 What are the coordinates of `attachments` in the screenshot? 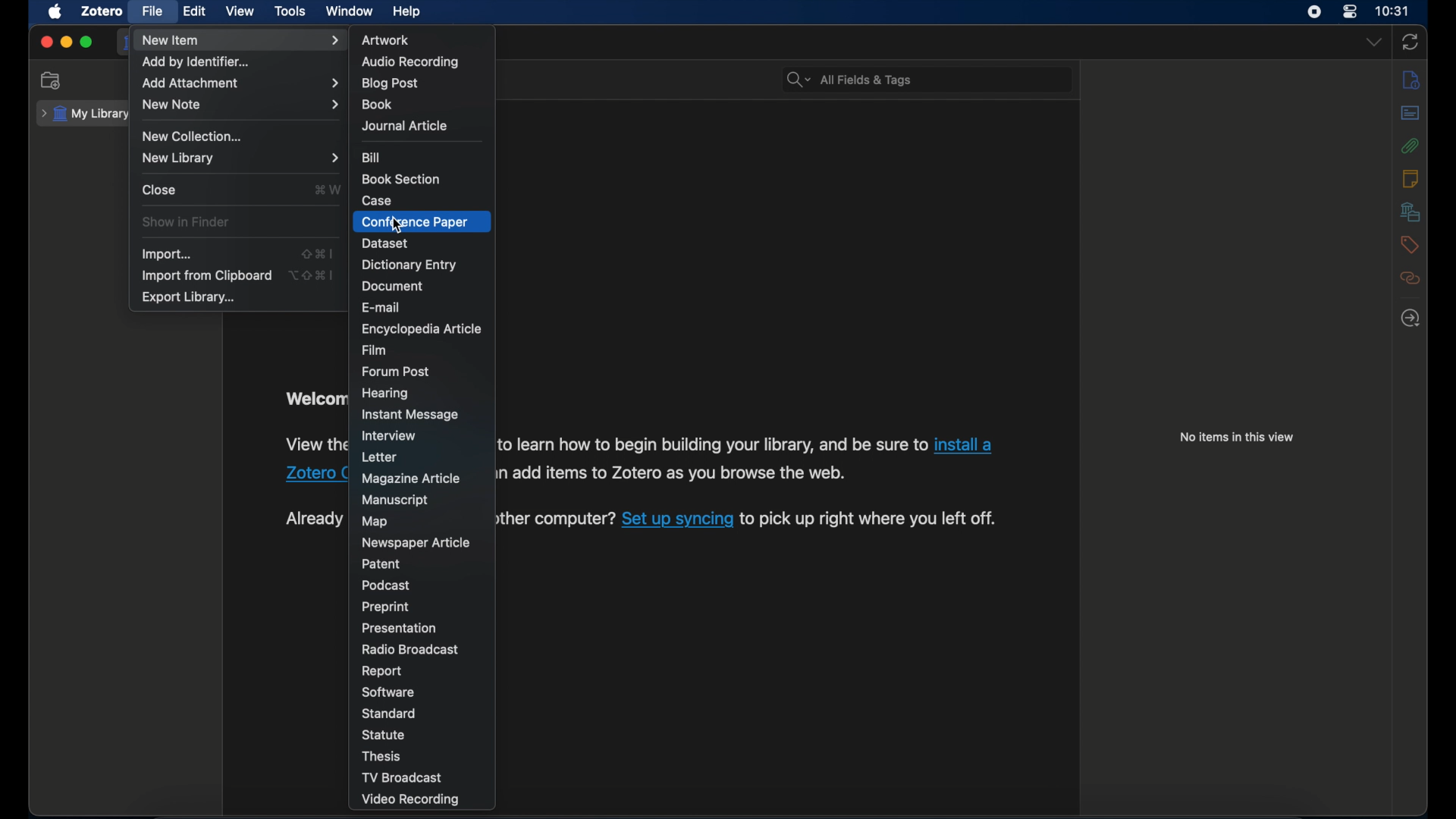 It's located at (1410, 146).